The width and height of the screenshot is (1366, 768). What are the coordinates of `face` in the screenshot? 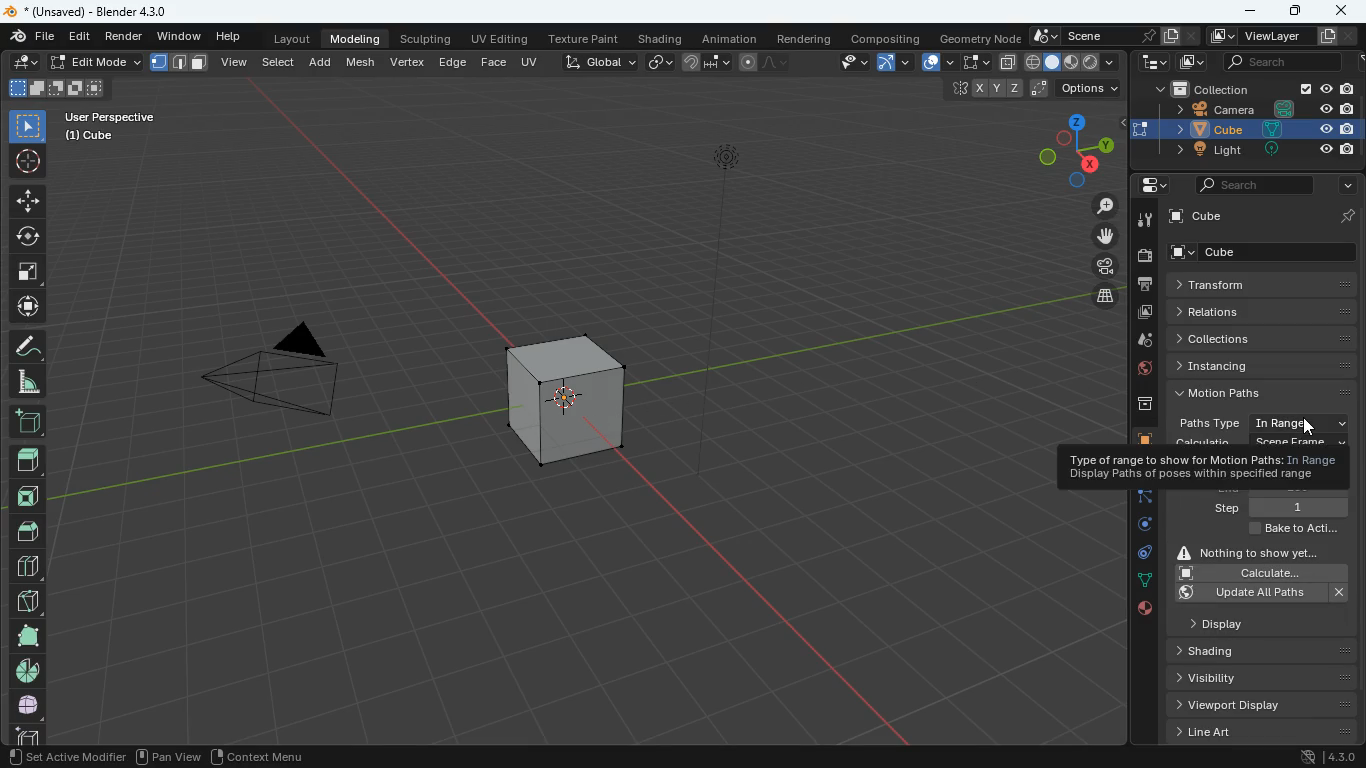 It's located at (495, 63).